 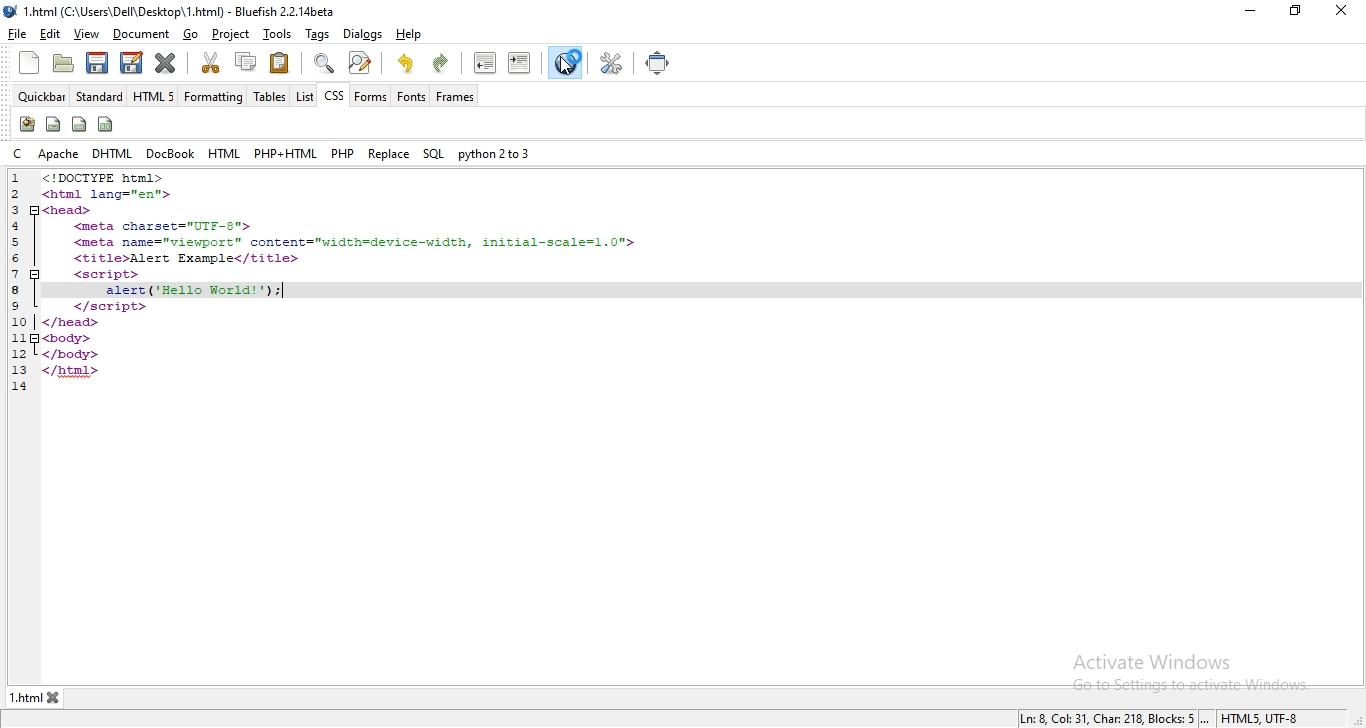 What do you see at coordinates (19, 225) in the screenshot?
I see `4` at bounding box center [19, 225].